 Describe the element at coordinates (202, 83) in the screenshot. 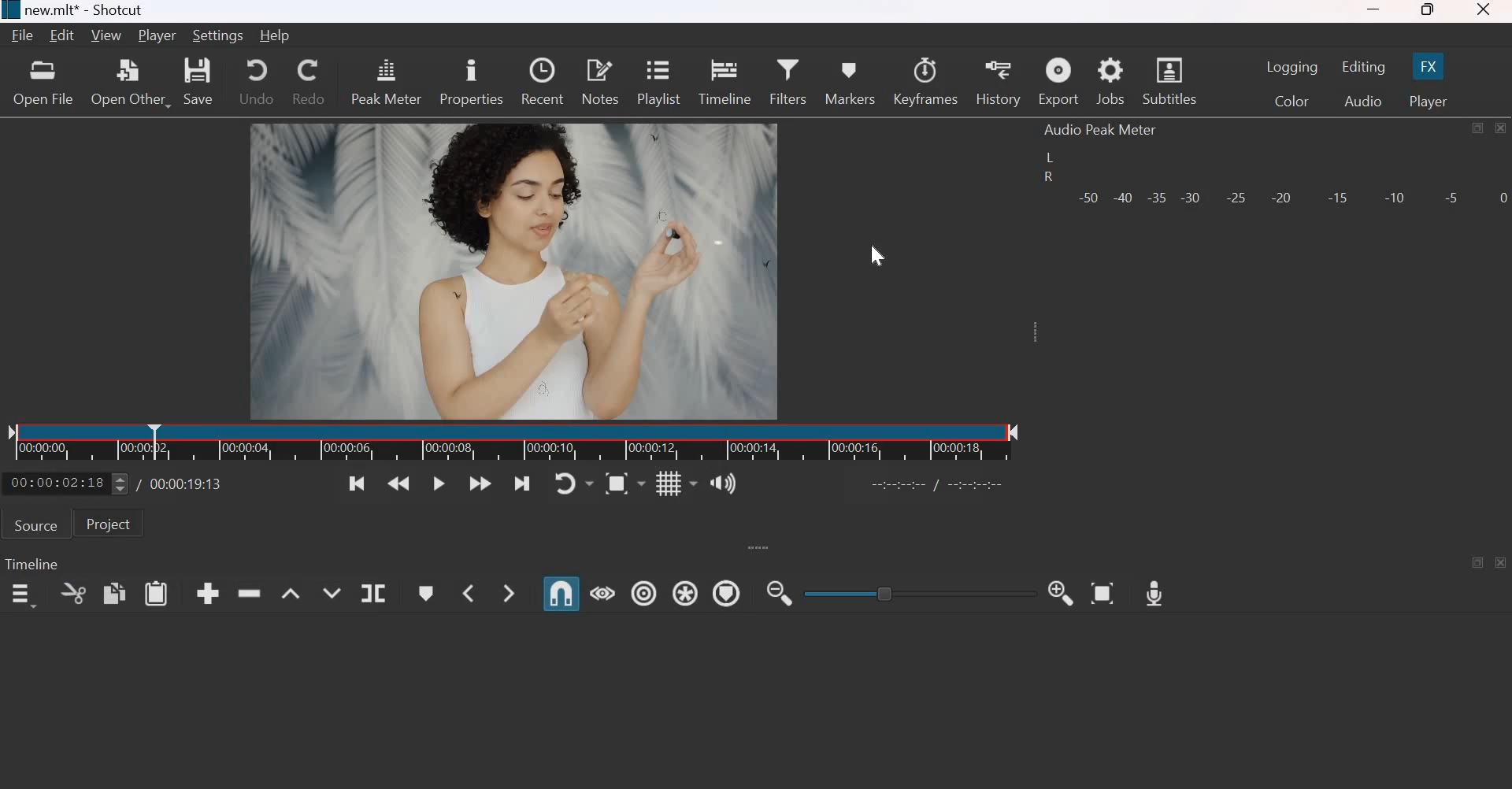

I see `save` at that location.